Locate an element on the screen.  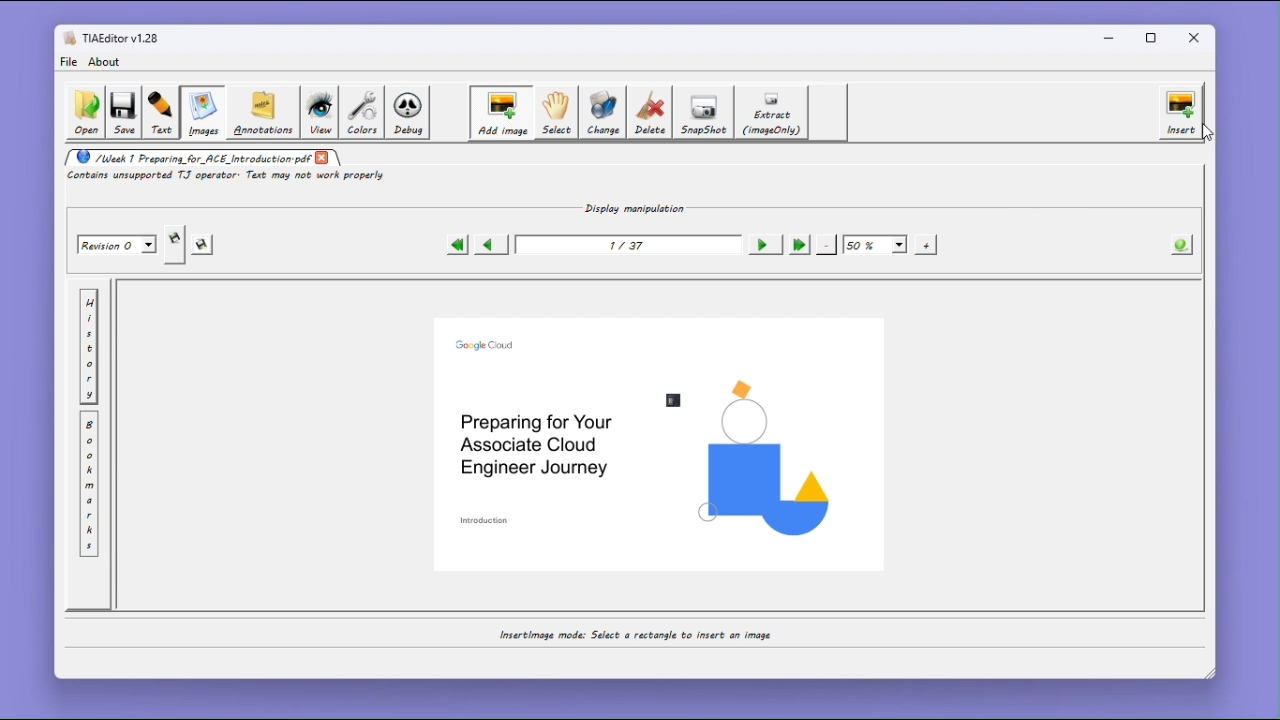
save is located at coordinates (123, 114).